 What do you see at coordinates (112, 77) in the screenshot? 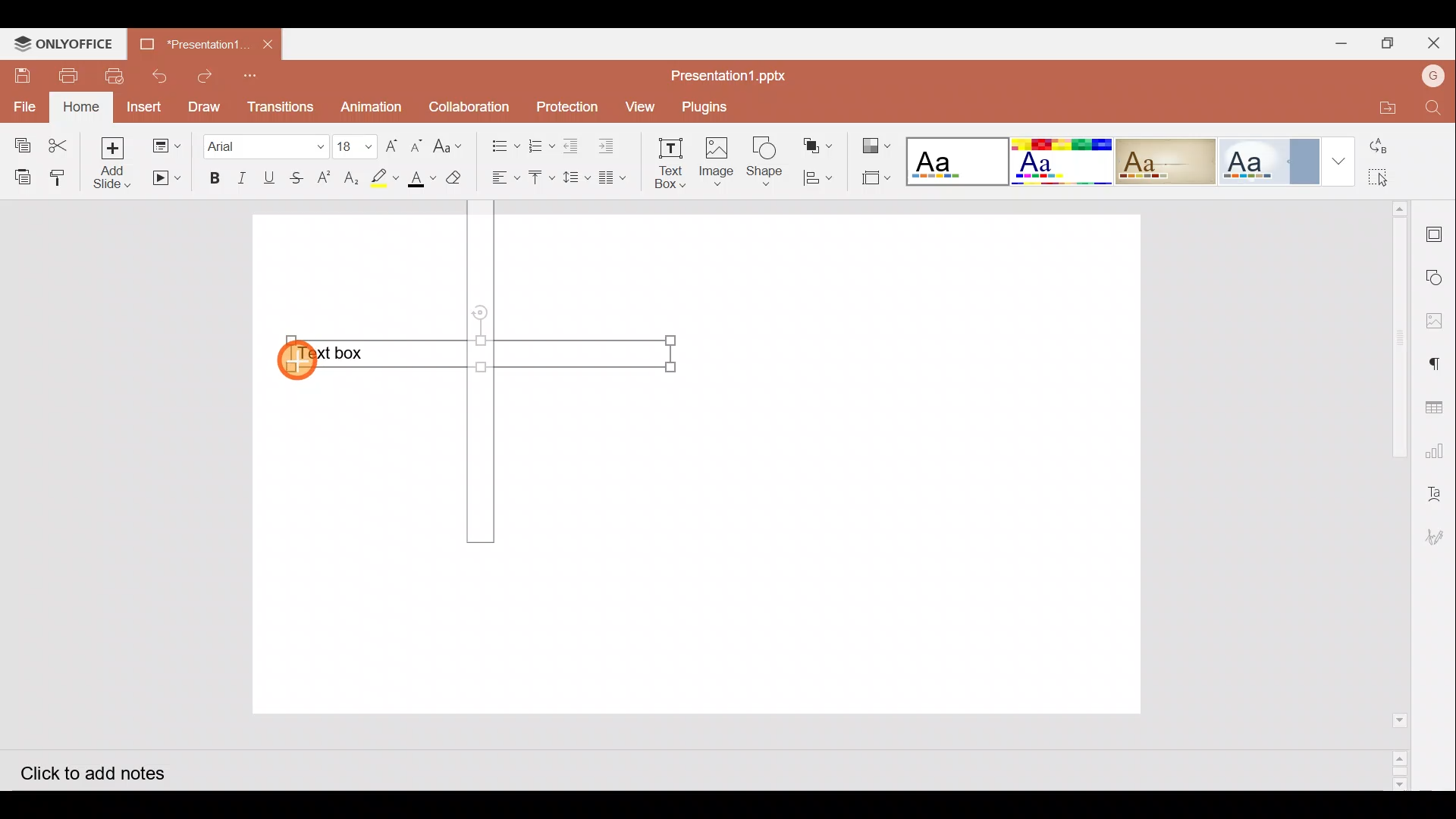
I see `Quick print` at bounding box center [112, 77].